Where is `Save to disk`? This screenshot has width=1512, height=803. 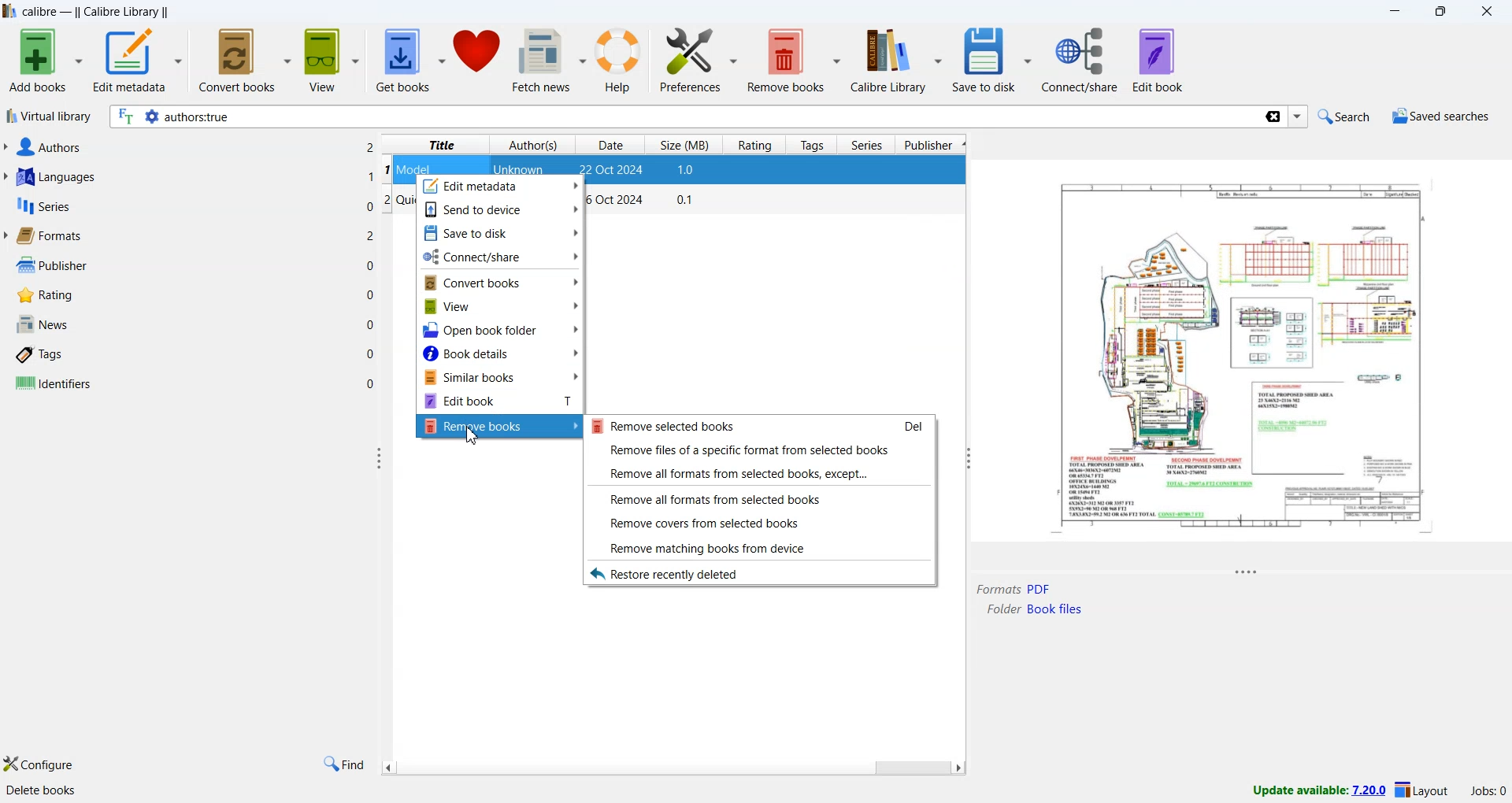 Save to disk is located at coordinates (502, 232).